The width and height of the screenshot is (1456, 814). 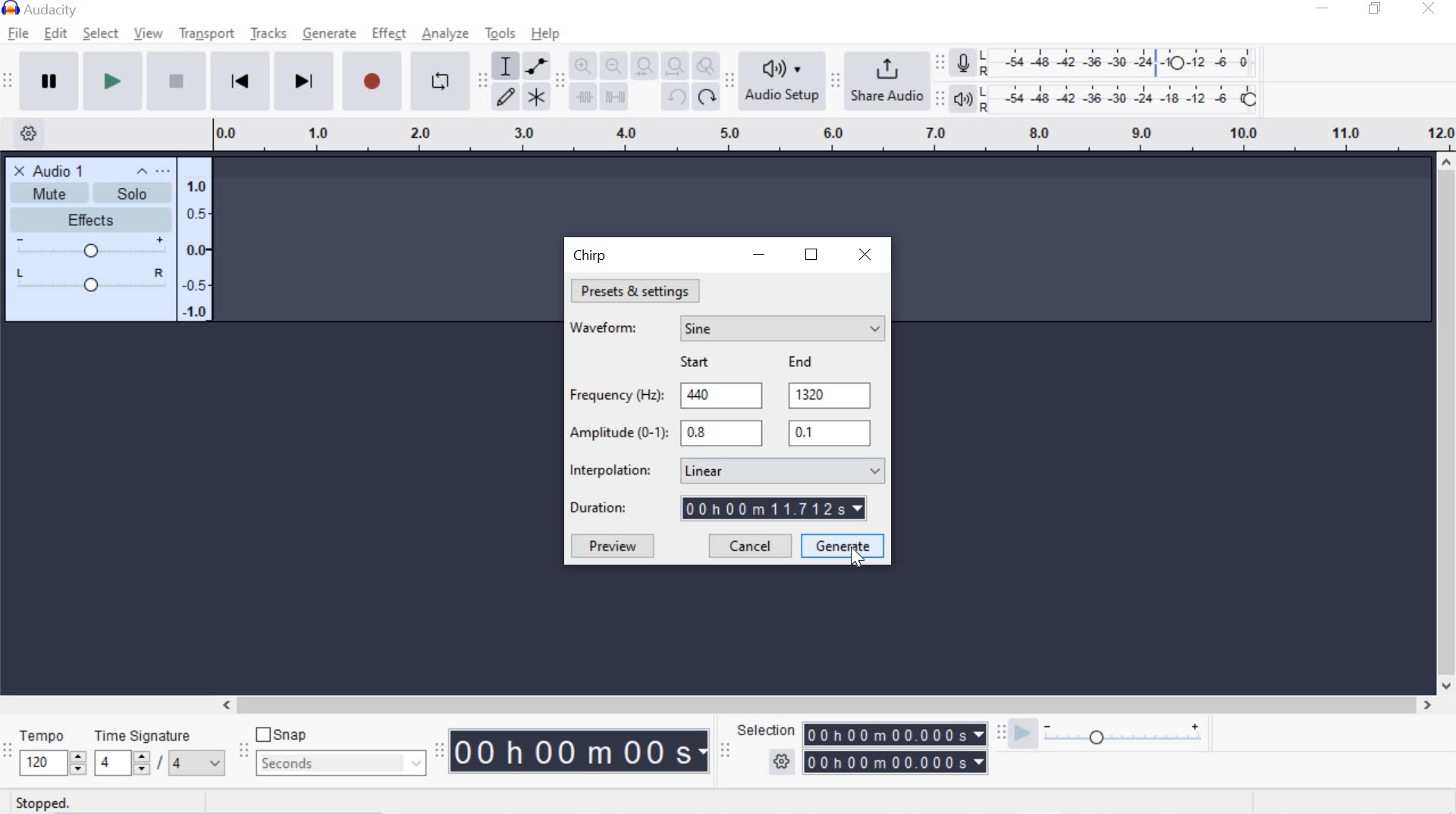 I want to click on Record meter, so click(x=966, y=64).